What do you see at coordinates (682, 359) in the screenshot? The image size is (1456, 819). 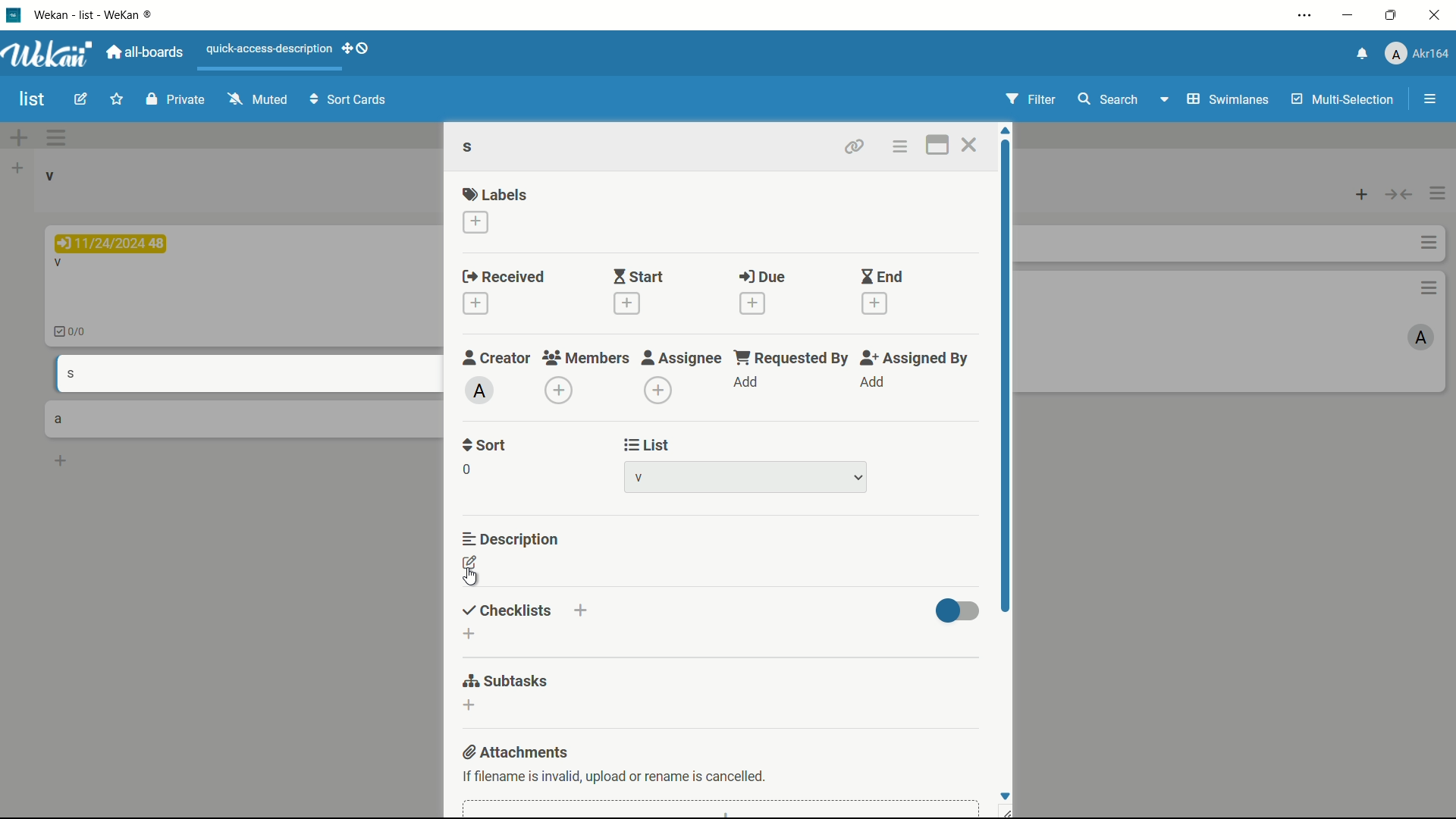 I see `assignee` at bounding box center [682, 359].